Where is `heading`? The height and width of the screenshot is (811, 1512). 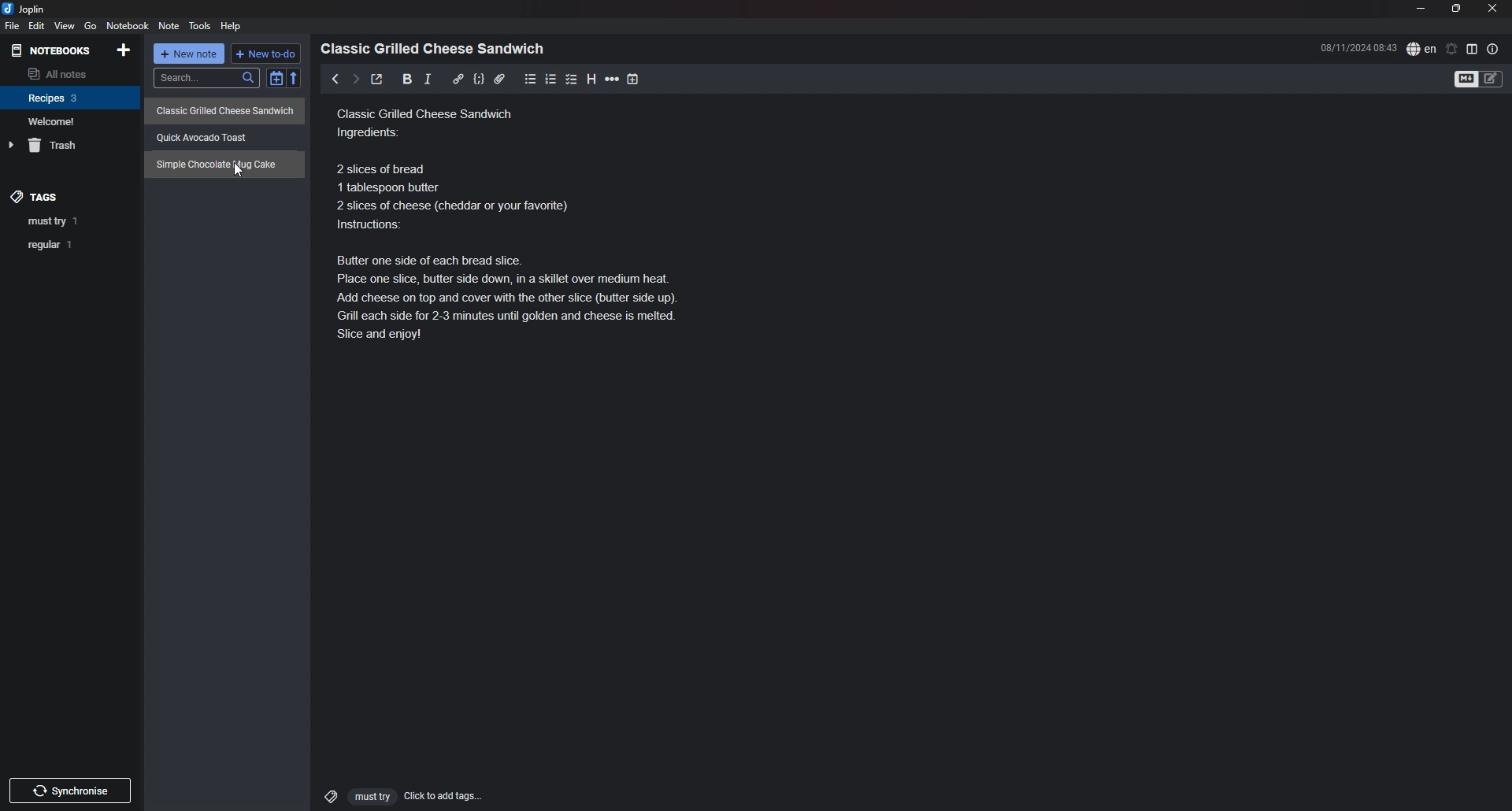 heading is located at coordinates (591, 79).